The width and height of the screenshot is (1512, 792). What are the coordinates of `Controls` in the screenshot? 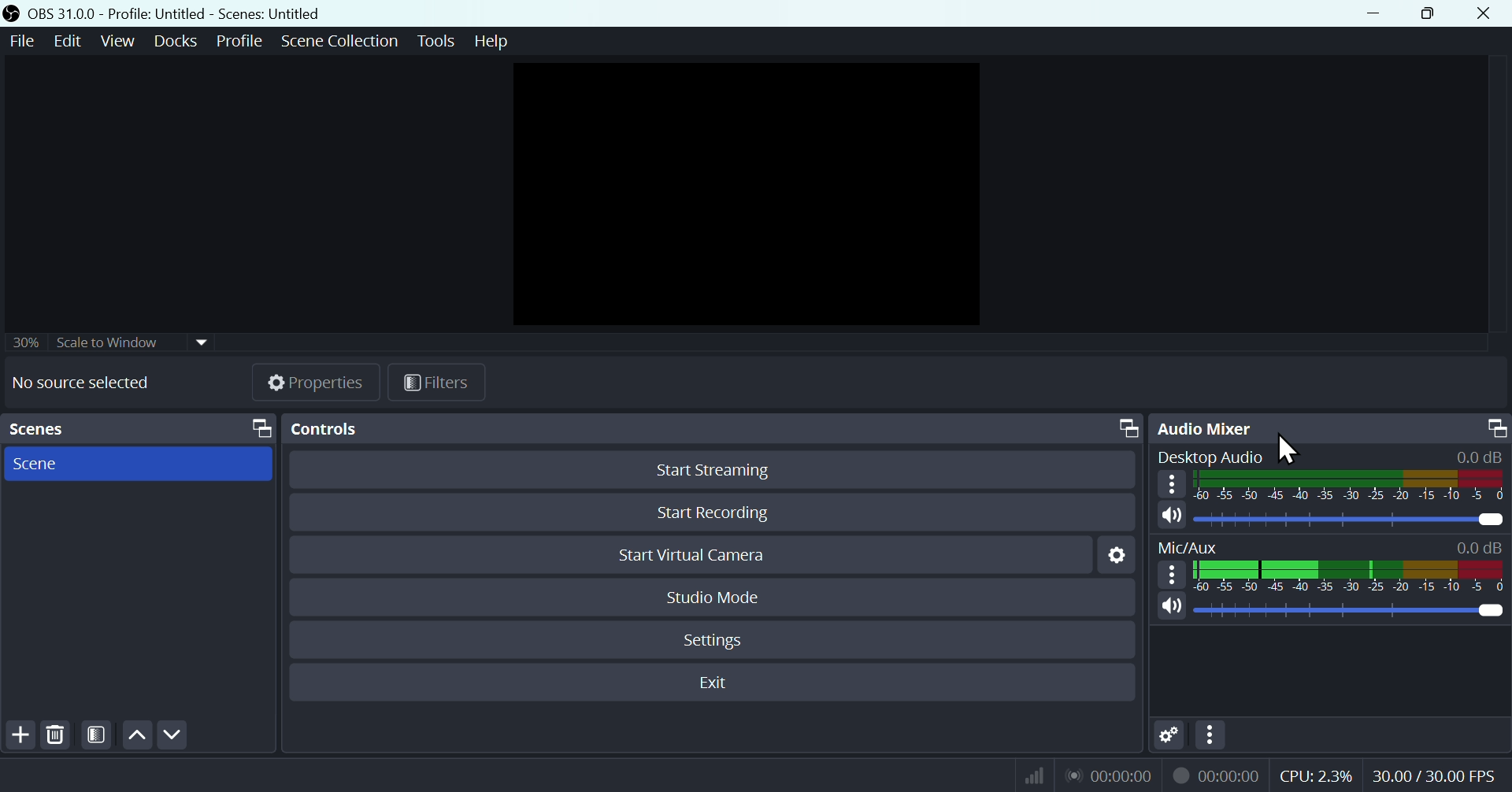 It's located at (710, 428).